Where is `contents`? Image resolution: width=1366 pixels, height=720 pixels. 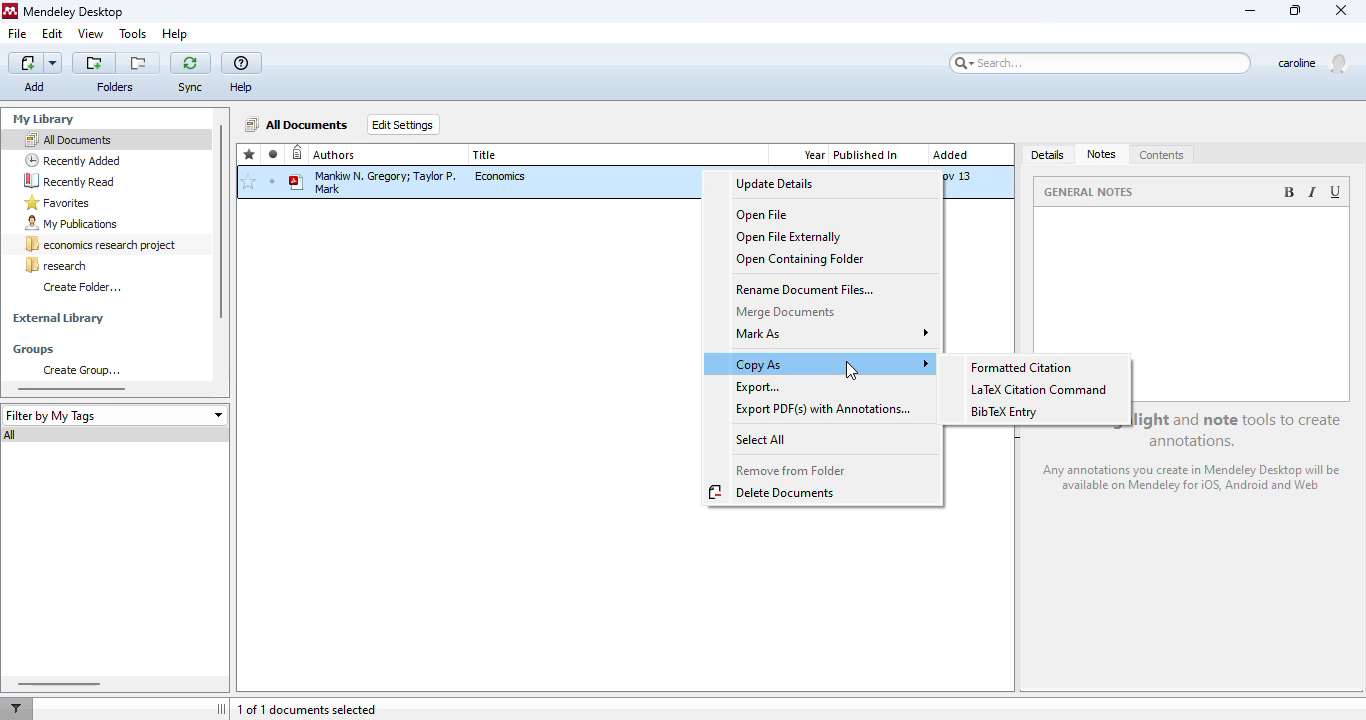
contents is located at coordinates (1162, 156).